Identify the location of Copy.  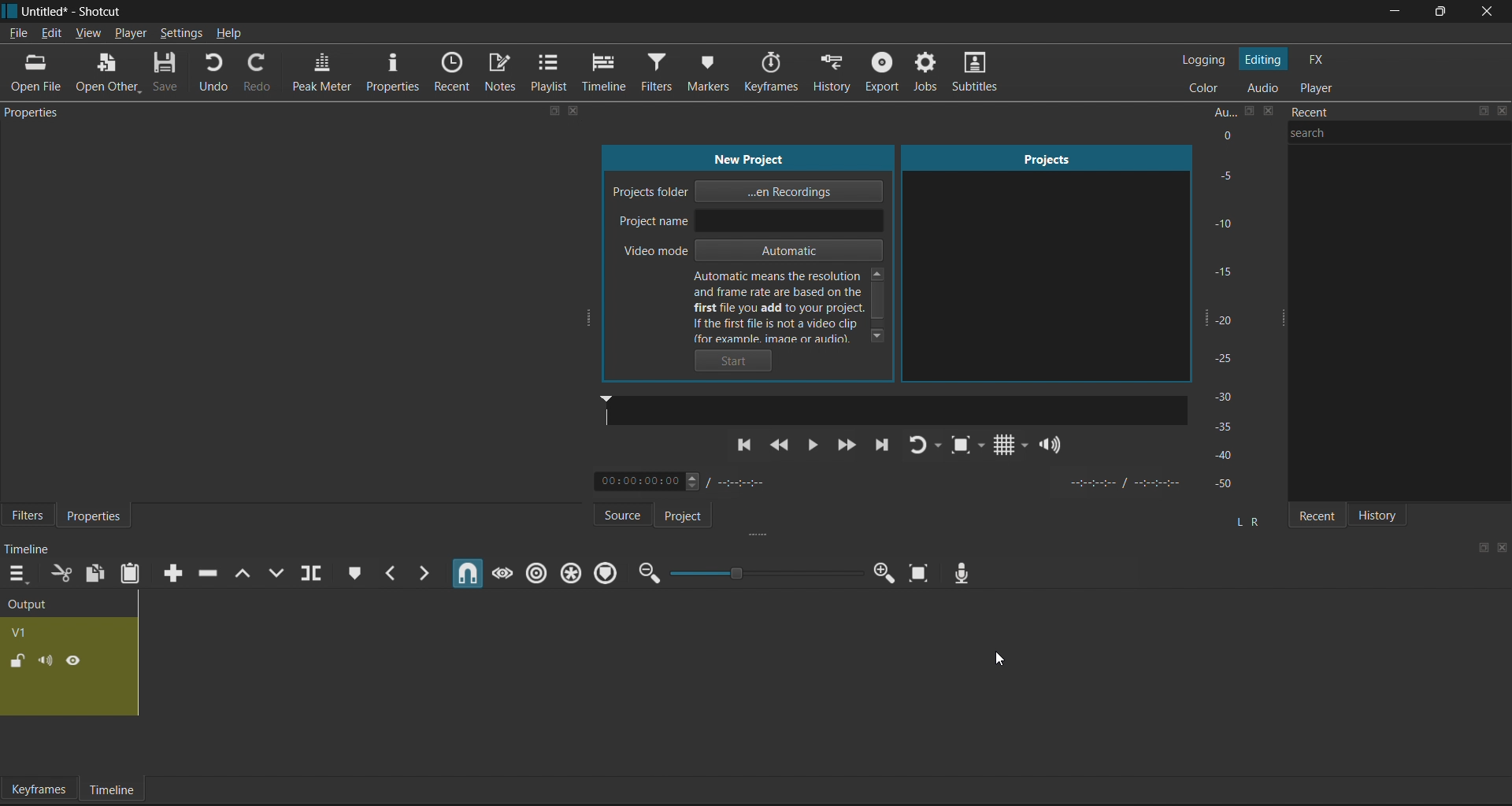
(95, 574).